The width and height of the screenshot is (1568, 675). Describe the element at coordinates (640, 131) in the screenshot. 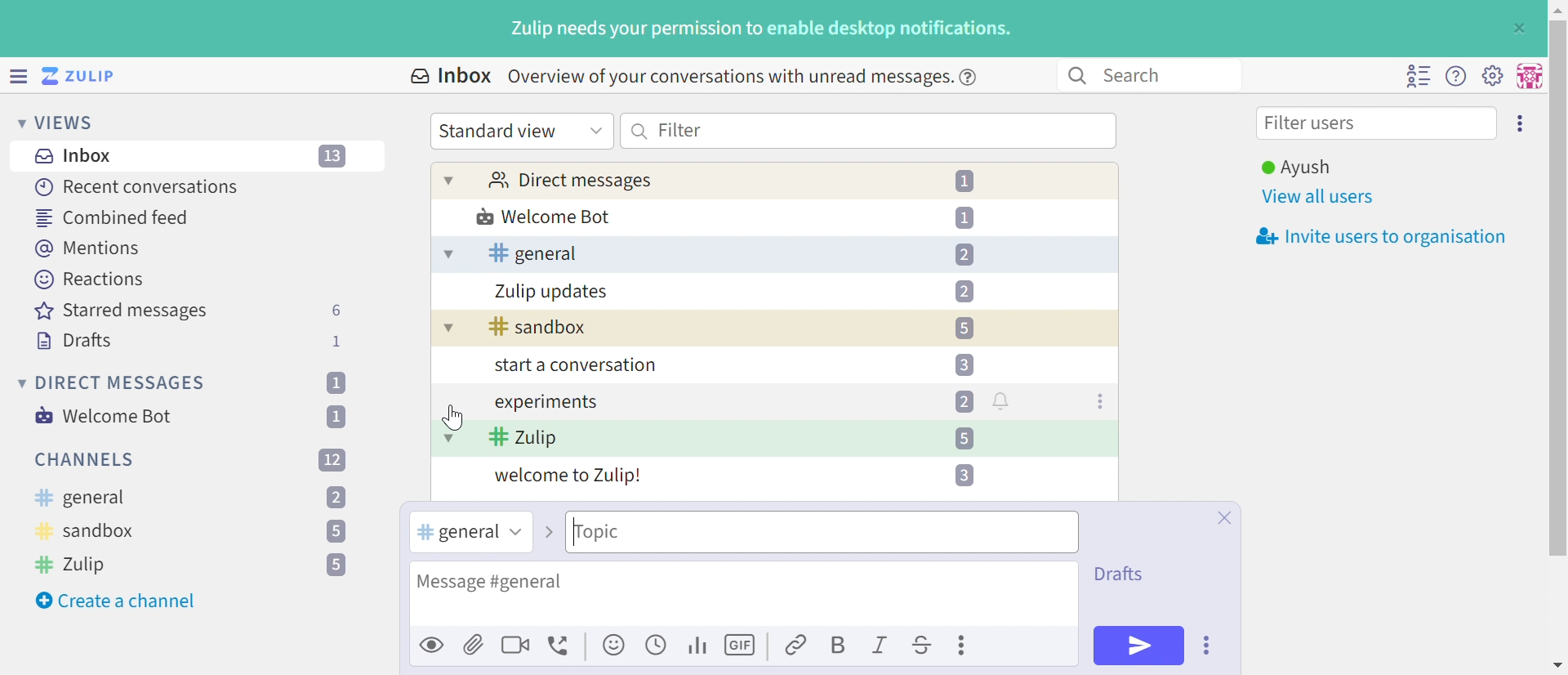

I see `Search` at that location.